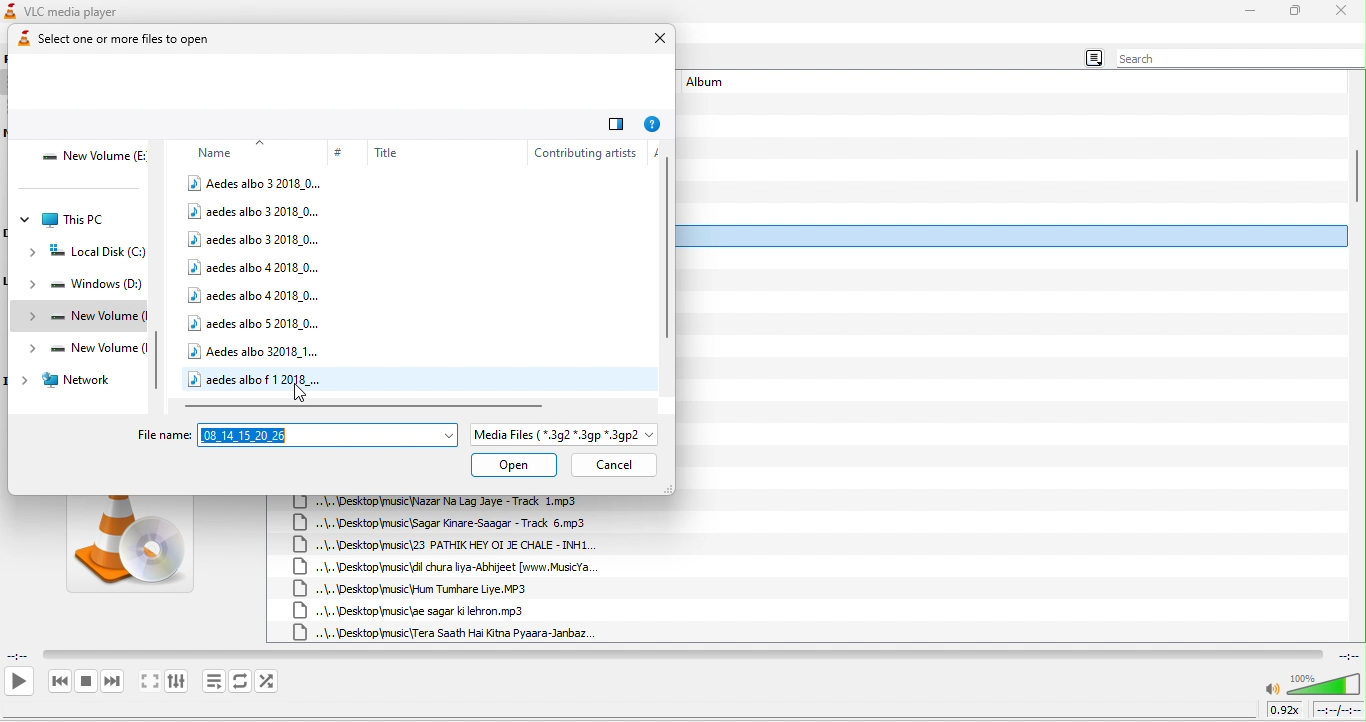 The height and width of the screenshot is (722, 1366). I want to click on volume, so click(1324, 684).